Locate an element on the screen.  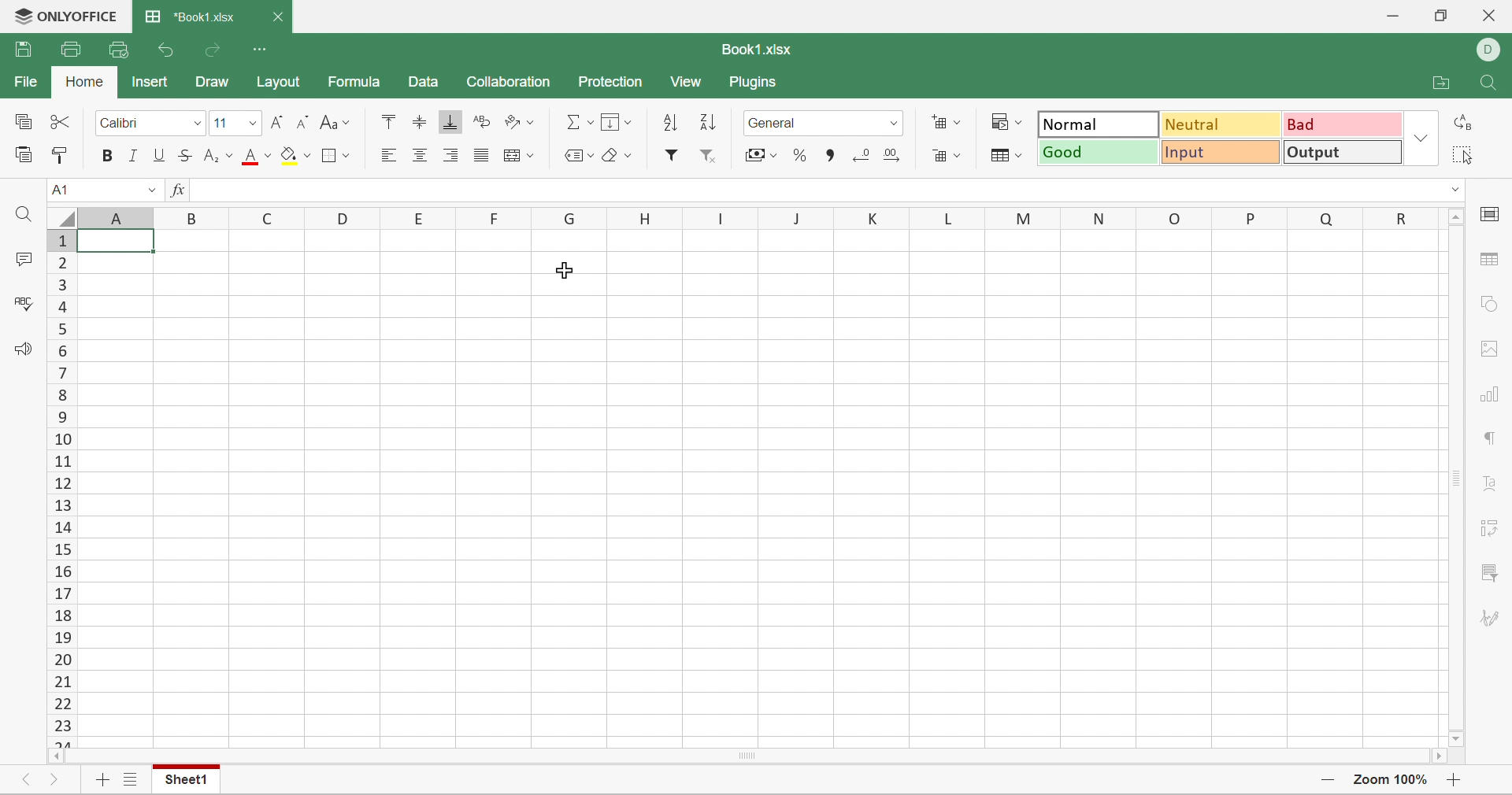
Zoom 100% is located at coordinates (1392, 782).